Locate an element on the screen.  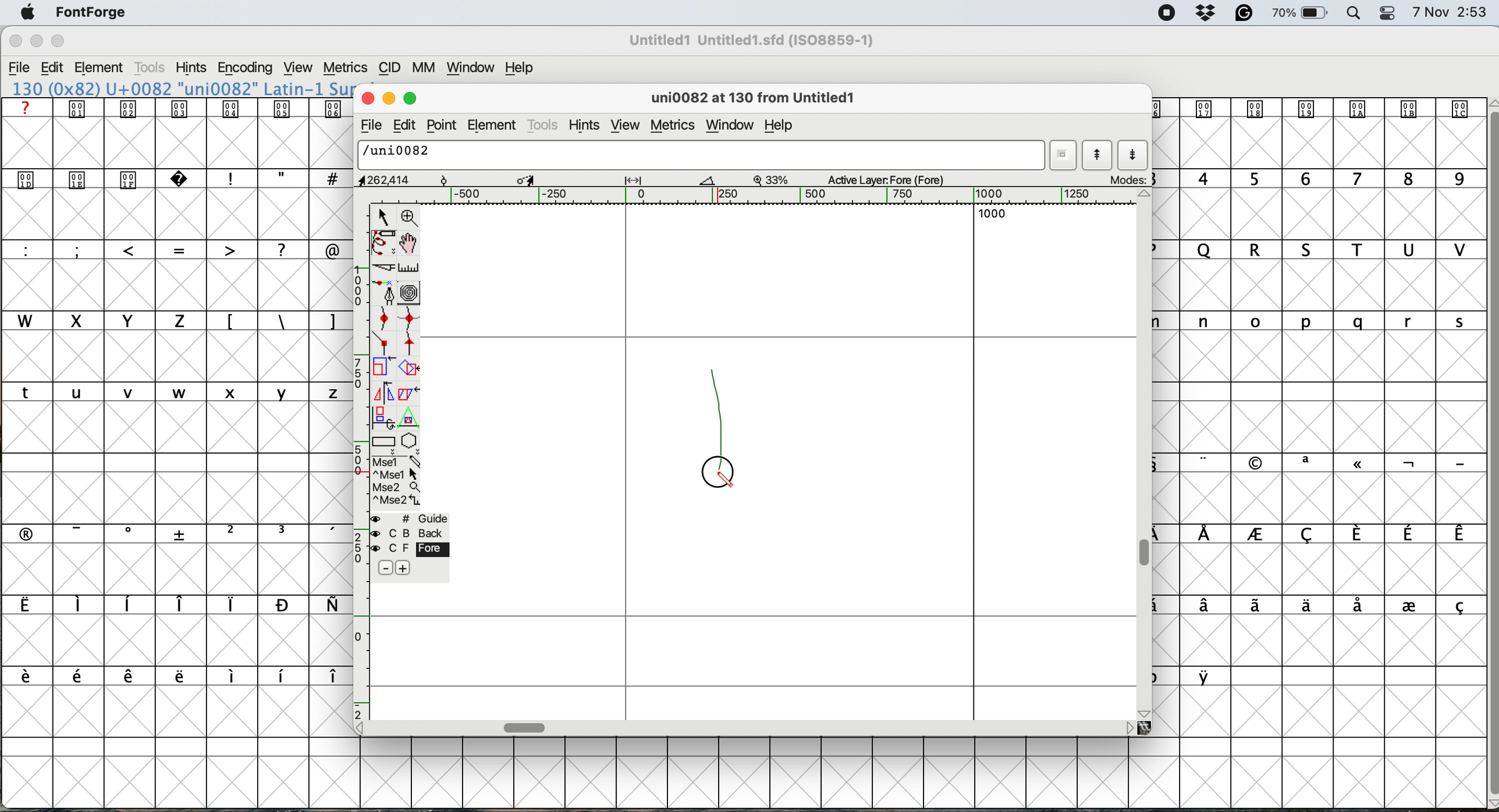
cut splines in two is located at coordinates (379, 268).